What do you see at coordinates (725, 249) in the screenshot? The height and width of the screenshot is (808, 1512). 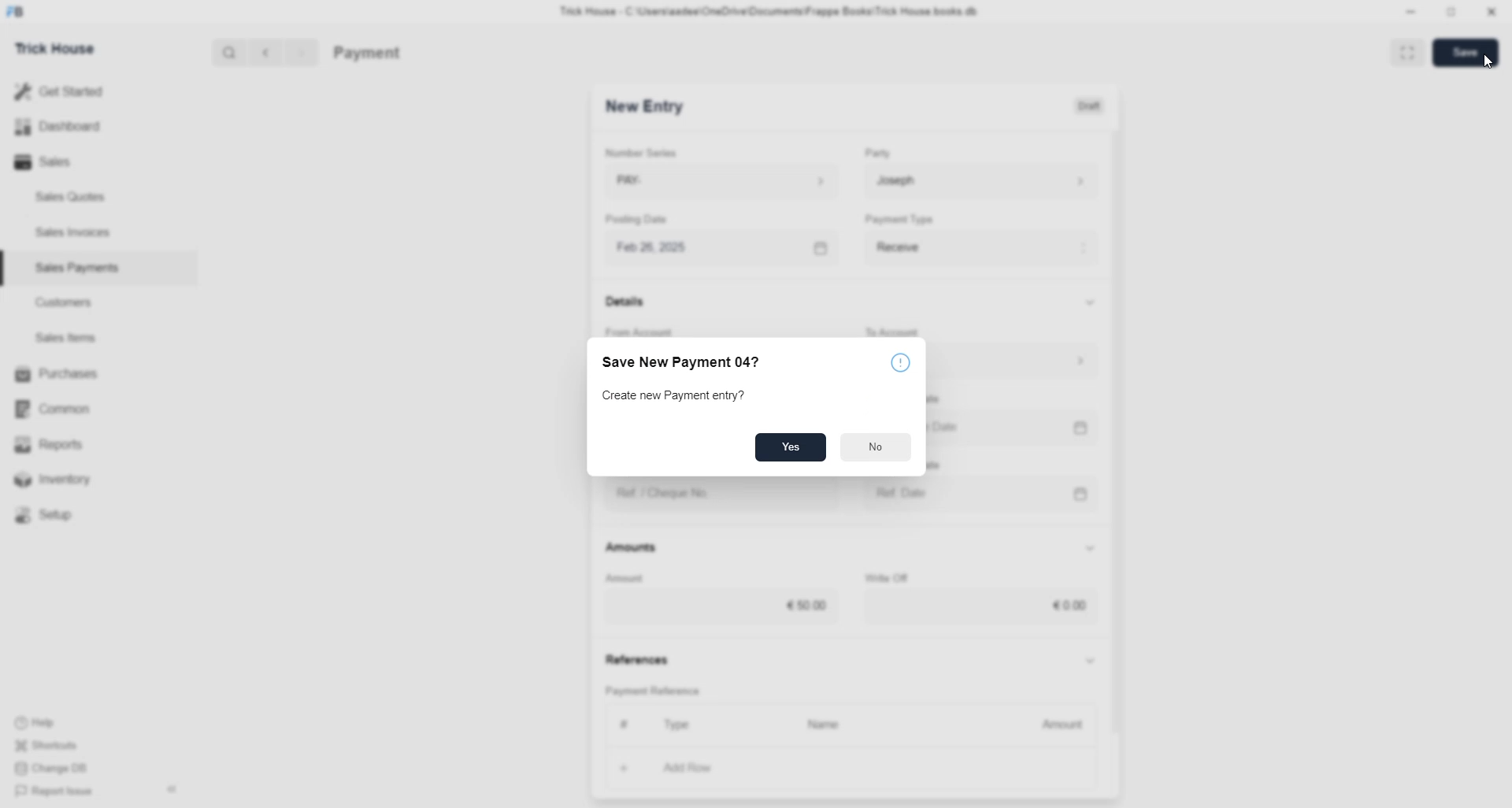 I see `Feb 26, 2025` at bounding box center [725, 249].